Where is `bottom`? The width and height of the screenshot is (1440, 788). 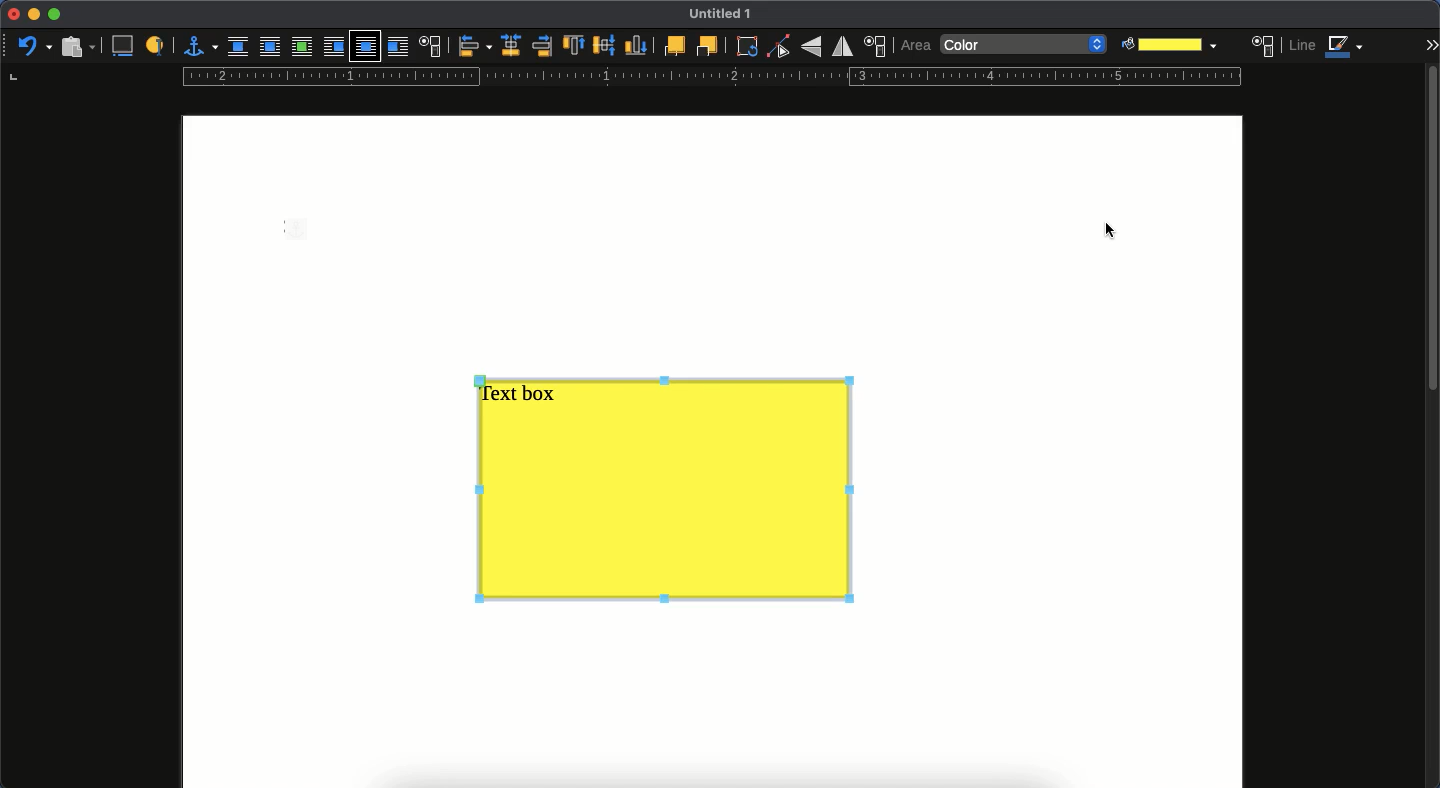 bottom is located at coordinates (637, 46).